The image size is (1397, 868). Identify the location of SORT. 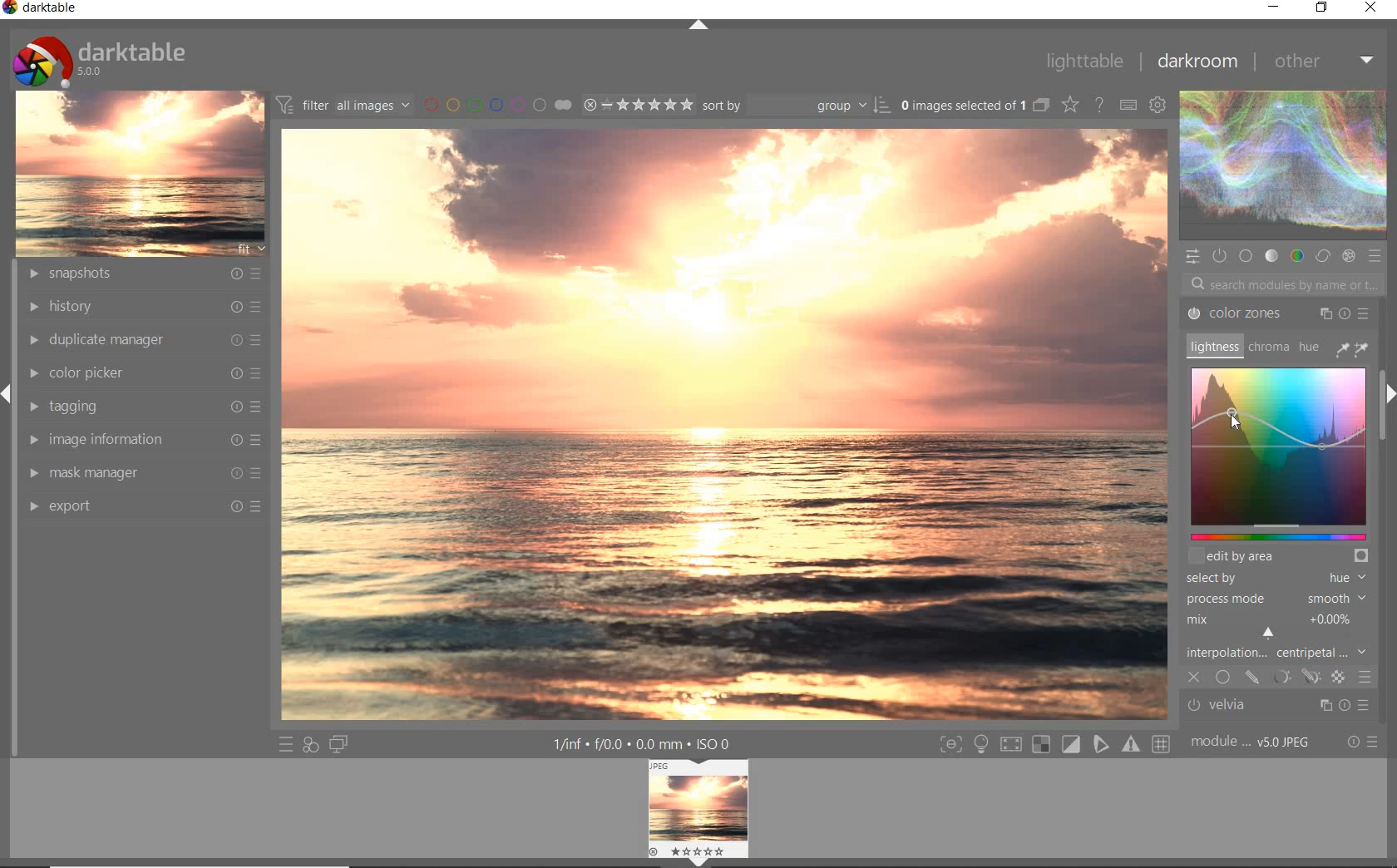
(795, 106).